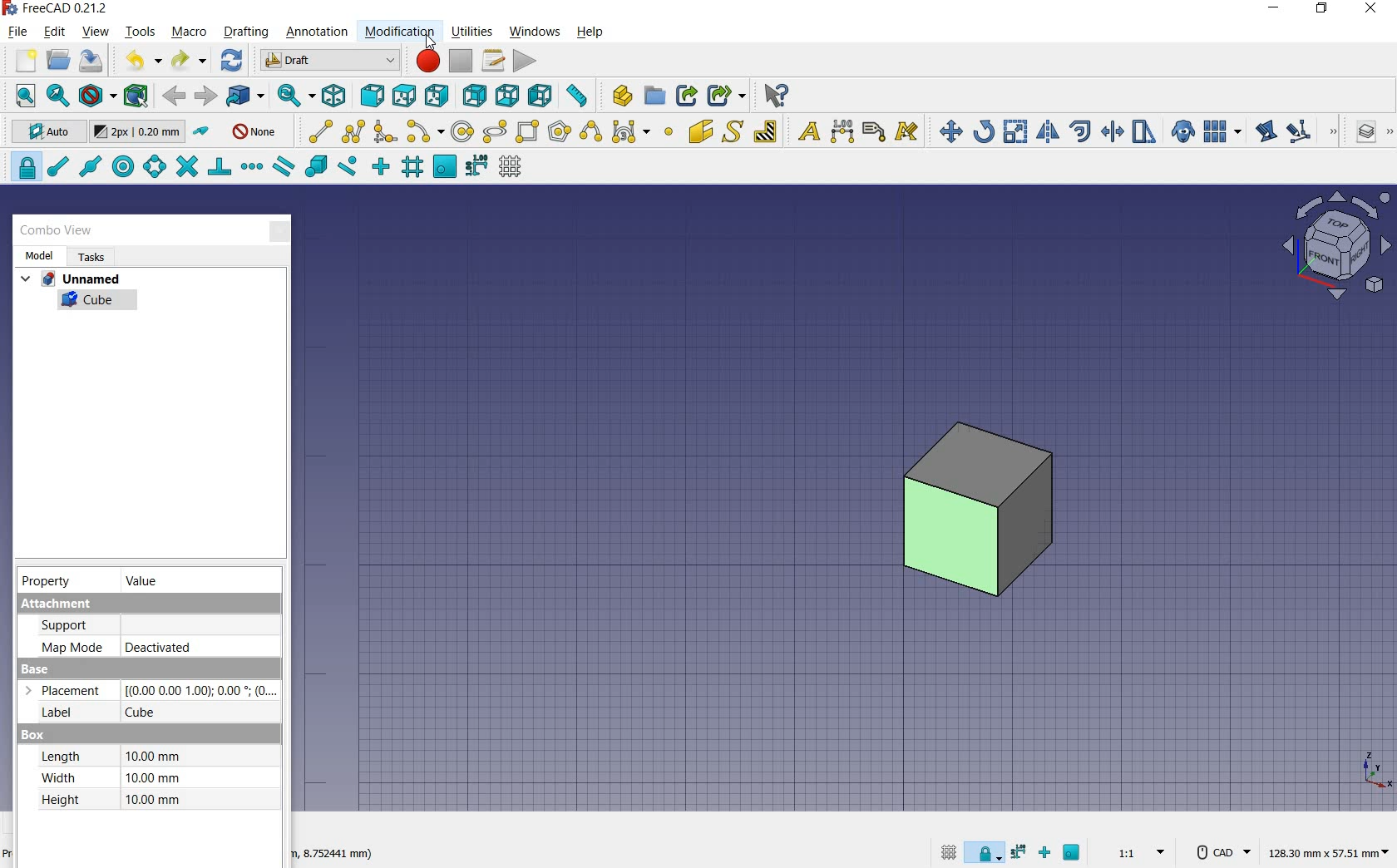 The height and width of the screenshot is (868, 1397). Describe the element at coordinates (530, 131) in the screenshot. I see `rectangle` at that location.